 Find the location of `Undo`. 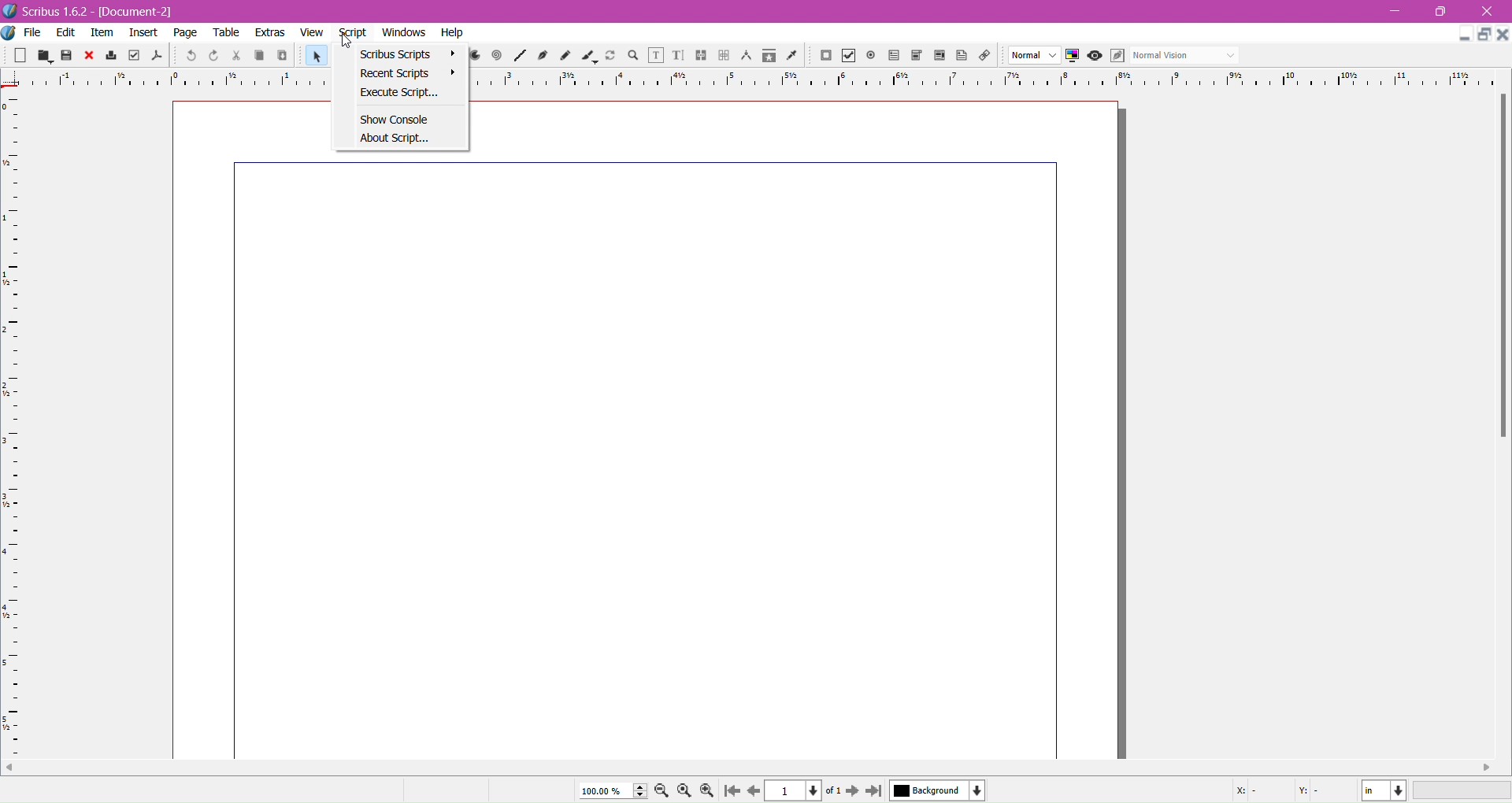

Undo is located at coordinates (190, 59).